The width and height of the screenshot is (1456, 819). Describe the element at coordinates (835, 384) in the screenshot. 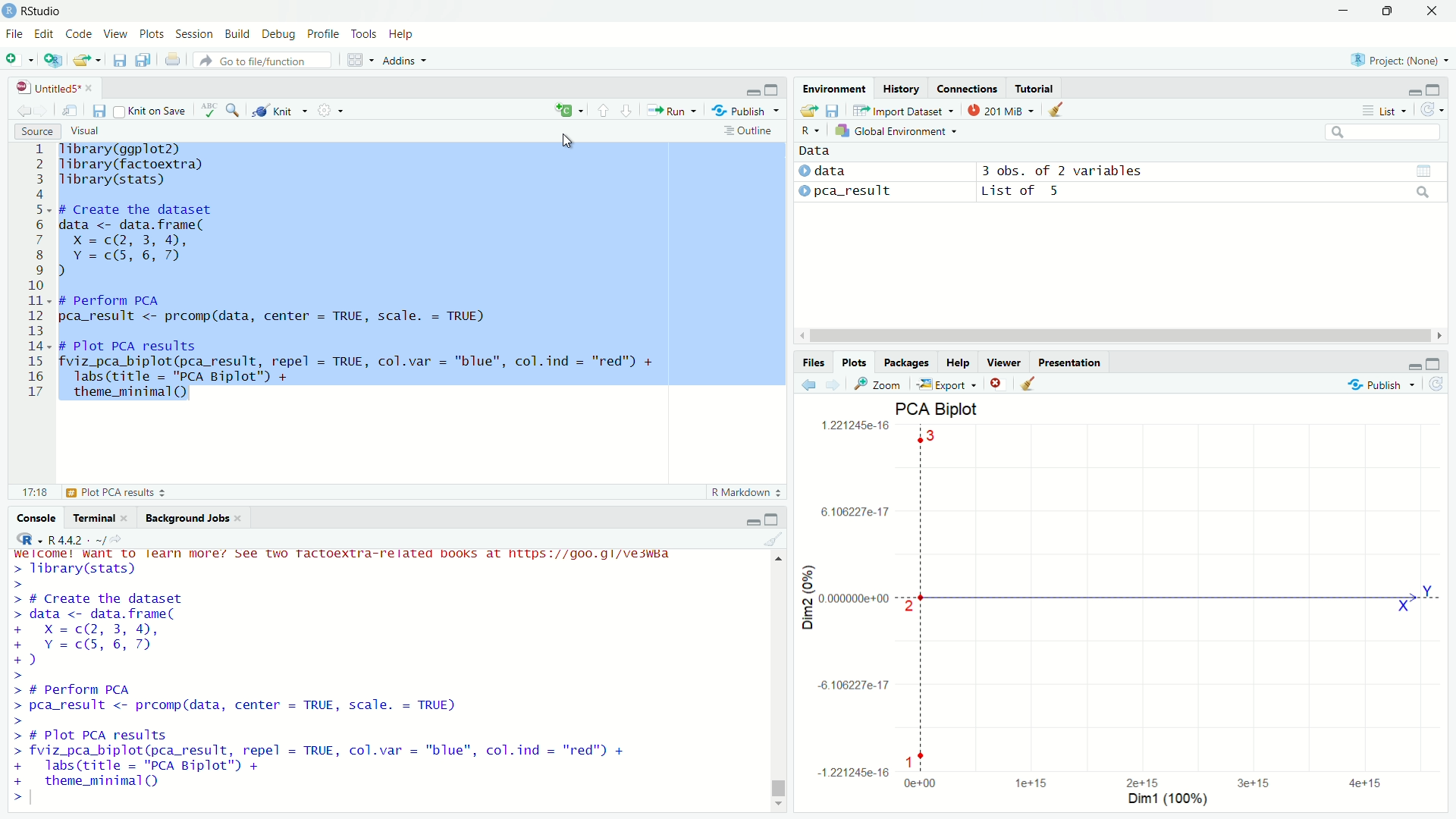

I see `go forward` at that location.